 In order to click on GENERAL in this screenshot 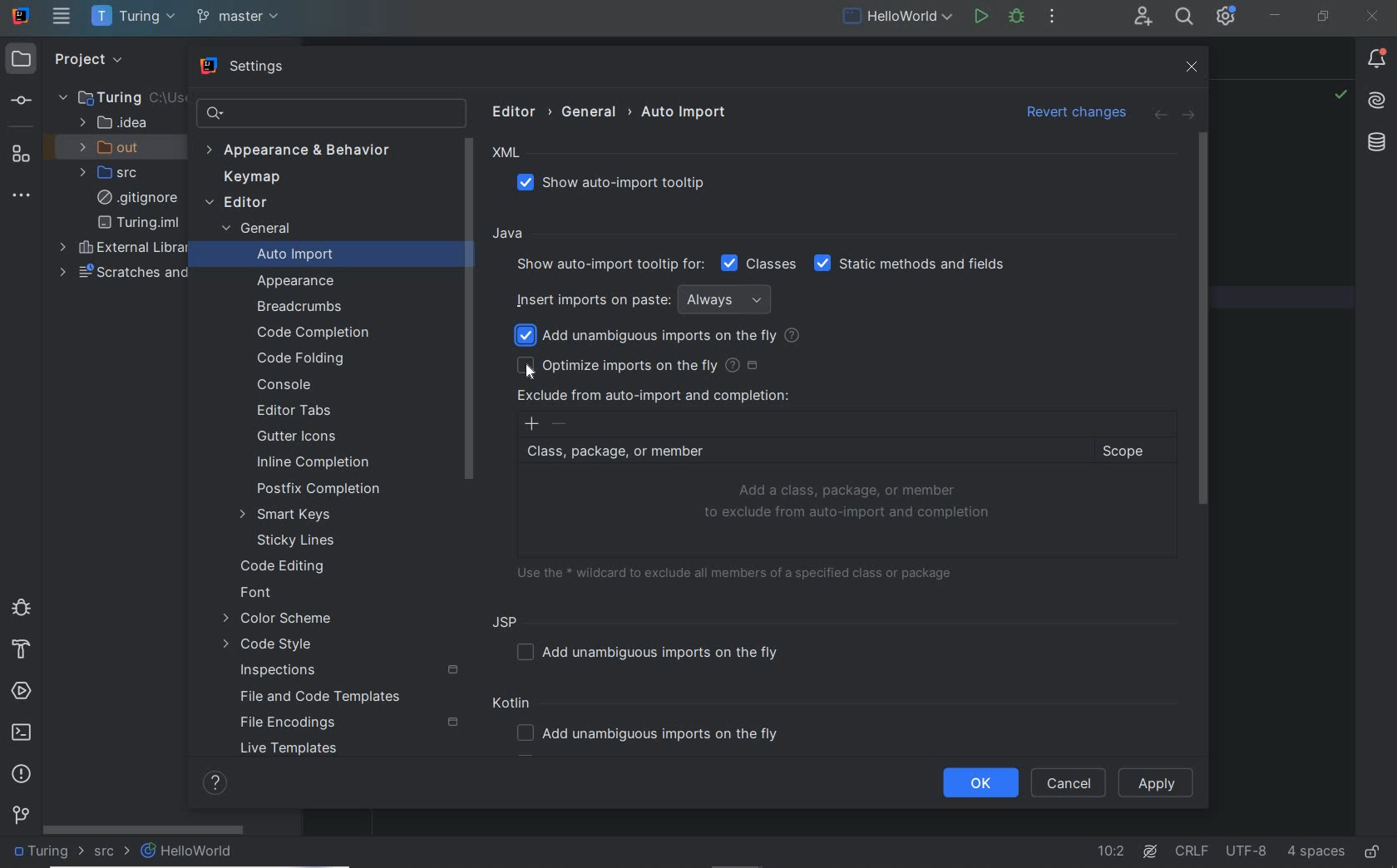, I will do `click(254, 230)`.